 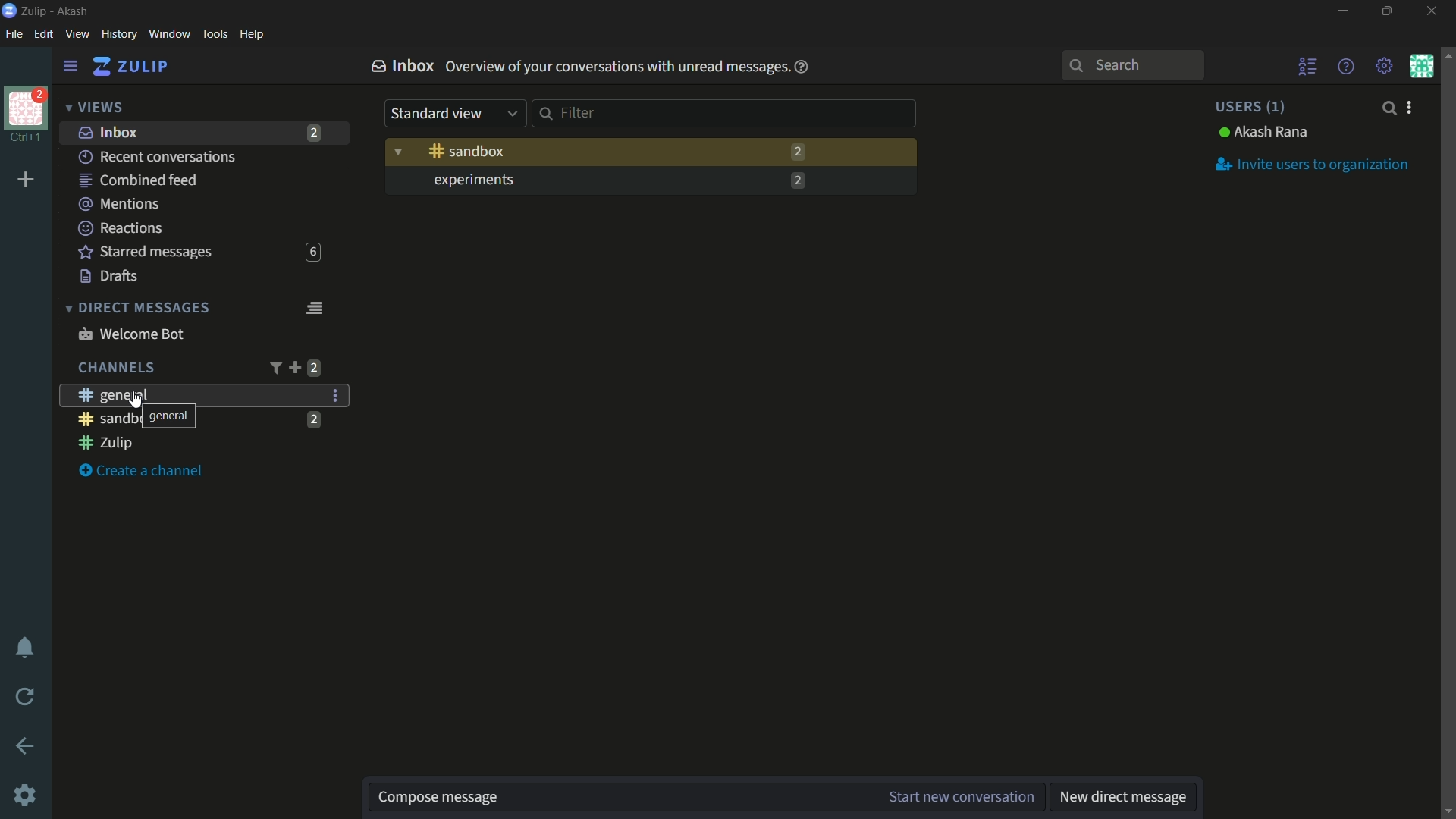 I want to click on cursor, so click(x=139, y=403).